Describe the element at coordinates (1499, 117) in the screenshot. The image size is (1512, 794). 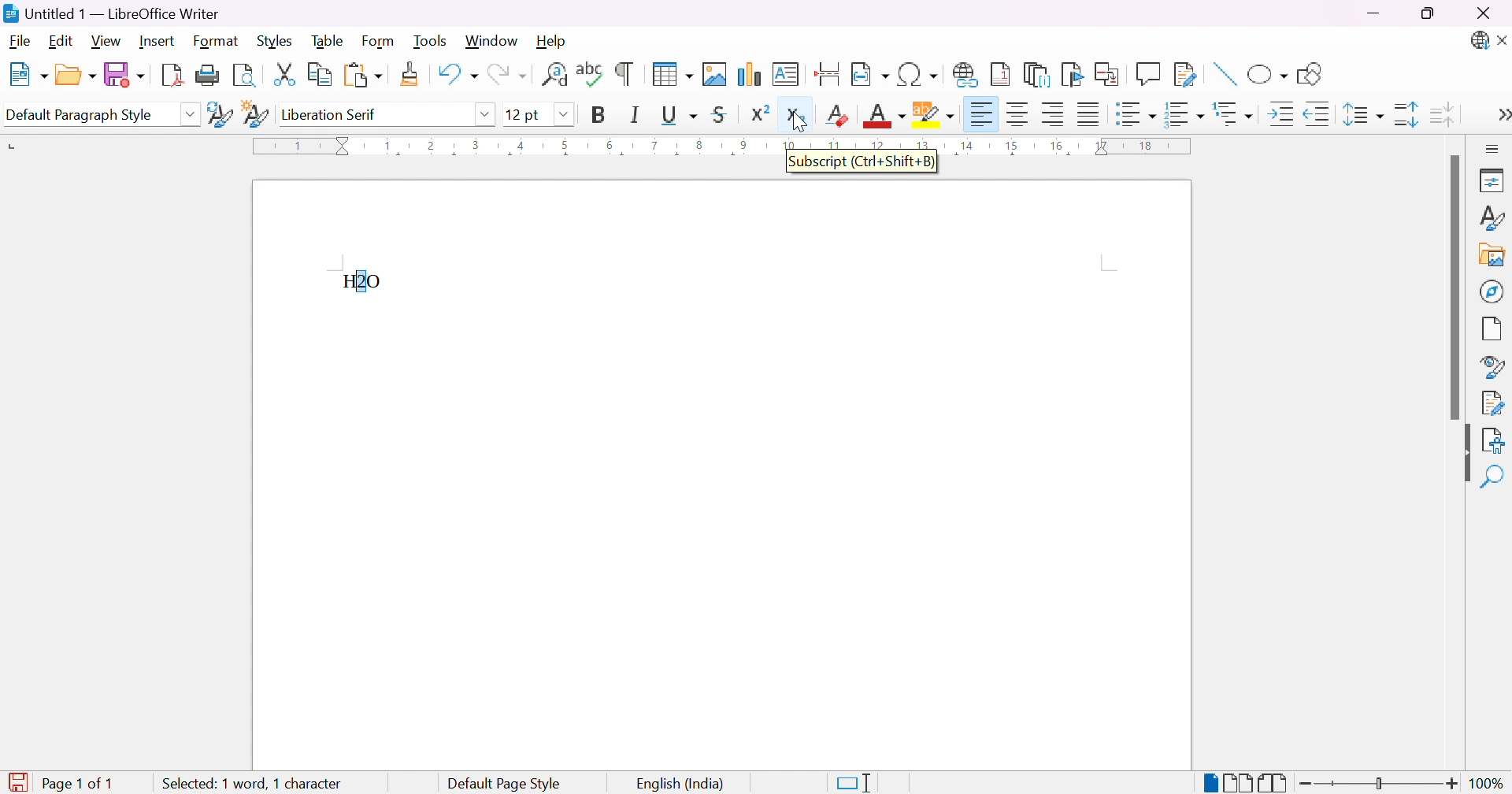
I see `More` at that location.